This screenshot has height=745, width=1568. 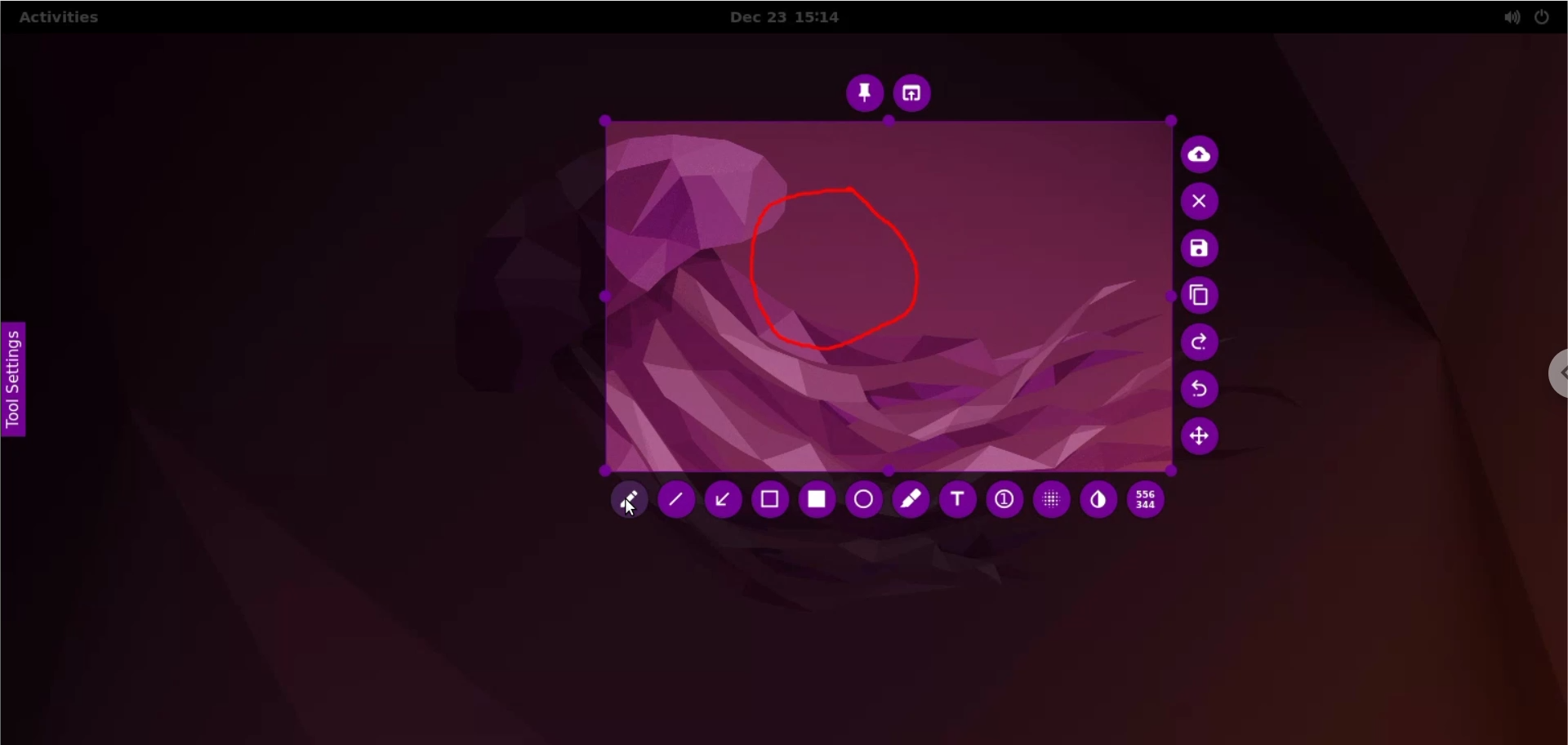 I want to click on inverter tool, so click(x=1096, y=505).